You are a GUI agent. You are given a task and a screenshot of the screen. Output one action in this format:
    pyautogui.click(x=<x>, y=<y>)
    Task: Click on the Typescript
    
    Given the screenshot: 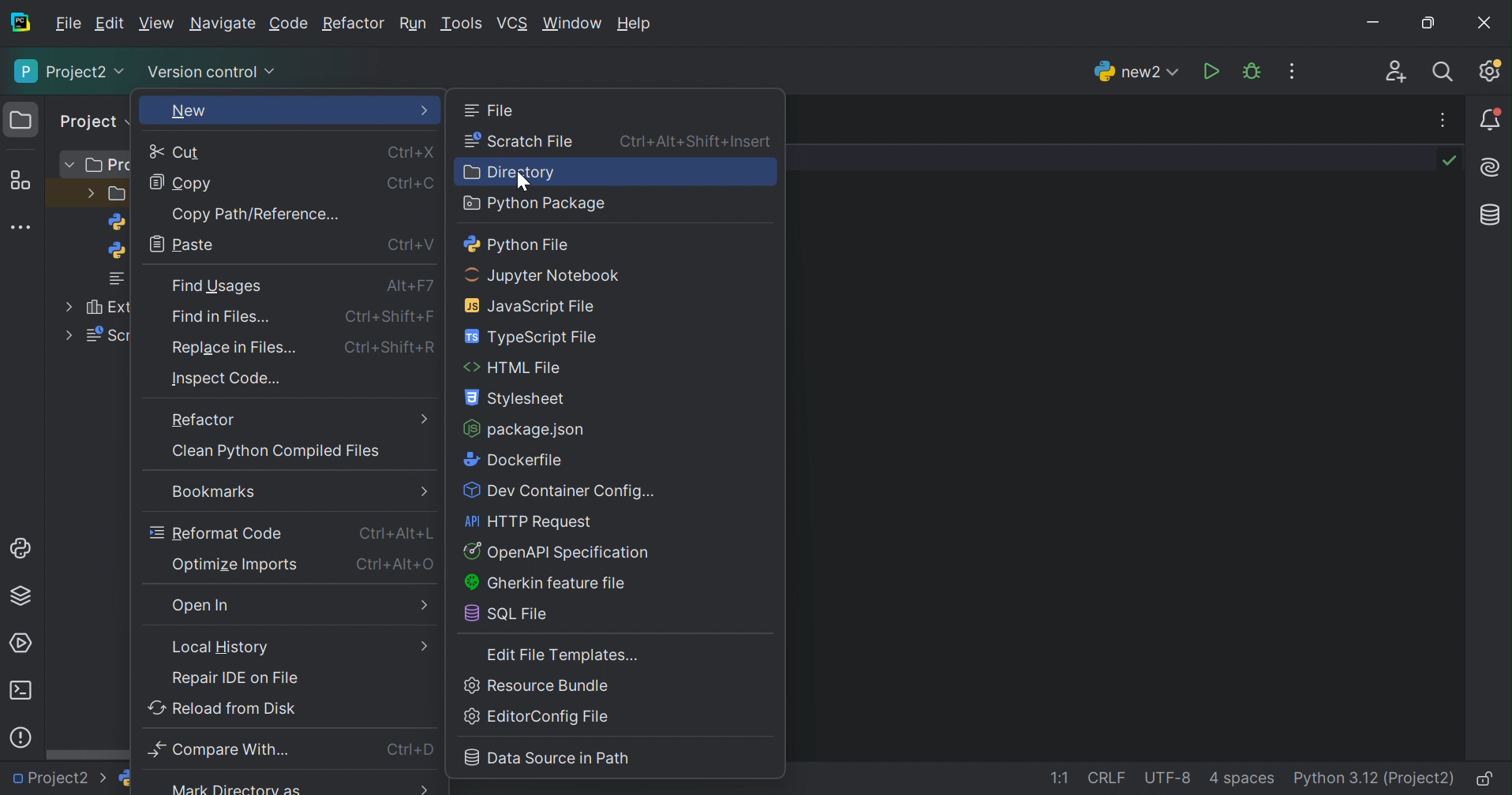 What is the action you would take?
    pyautogui.click(x=532, y=338)
    